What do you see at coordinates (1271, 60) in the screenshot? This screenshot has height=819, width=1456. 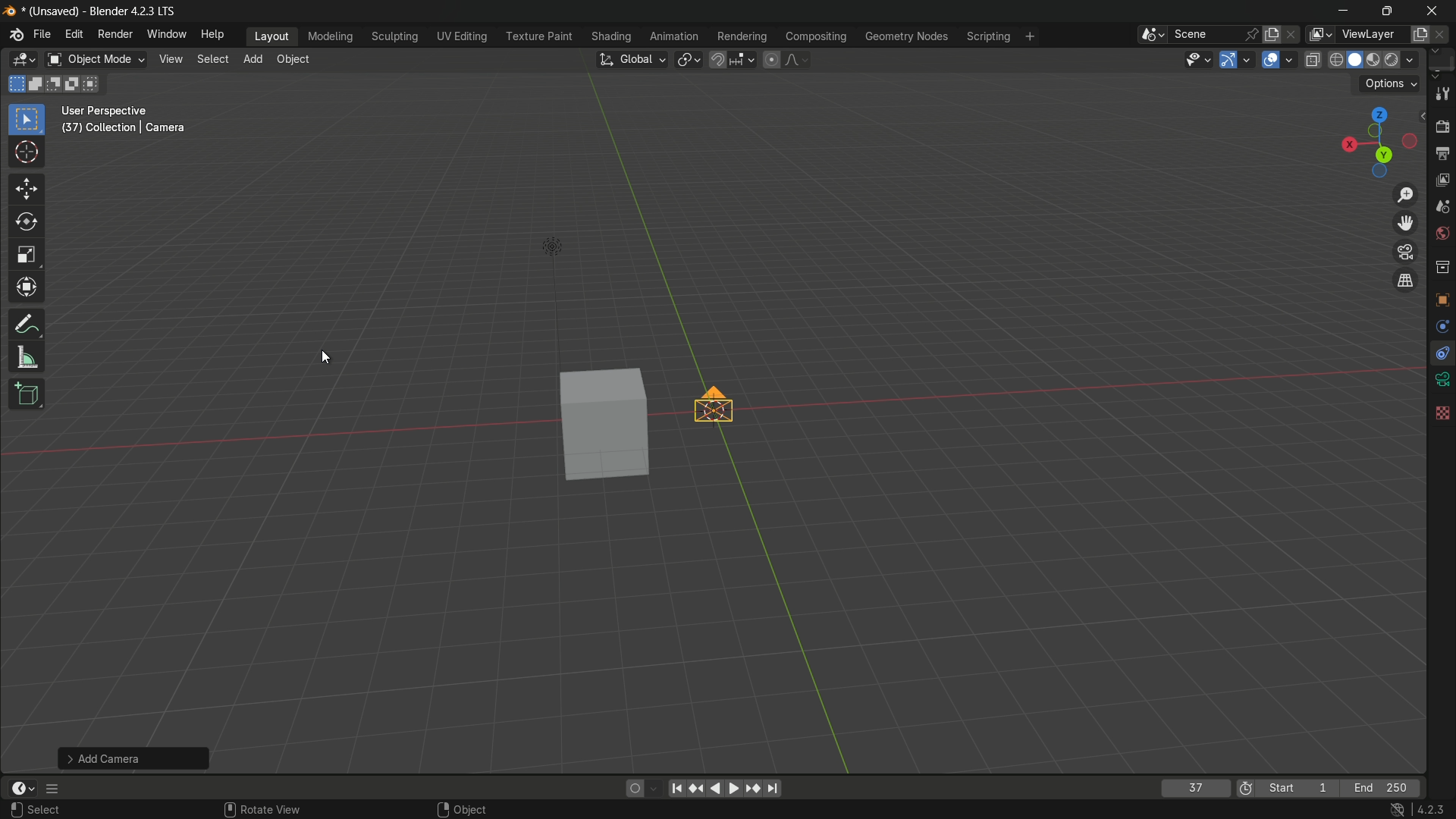 I see `show overlay` at bounding box center [1271, 60].